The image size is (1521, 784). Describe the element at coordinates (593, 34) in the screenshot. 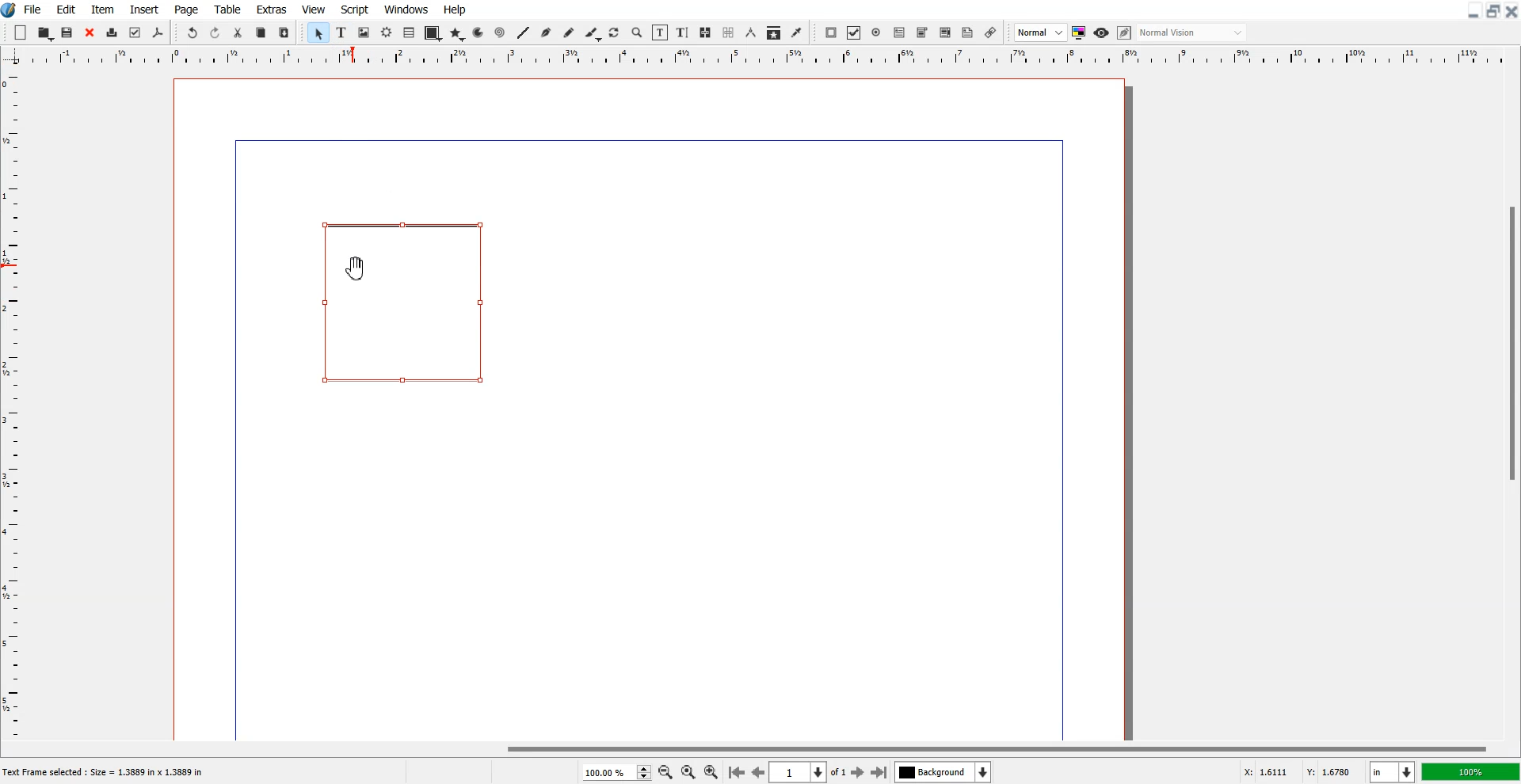

I see `Calligraphic line ` at that location.